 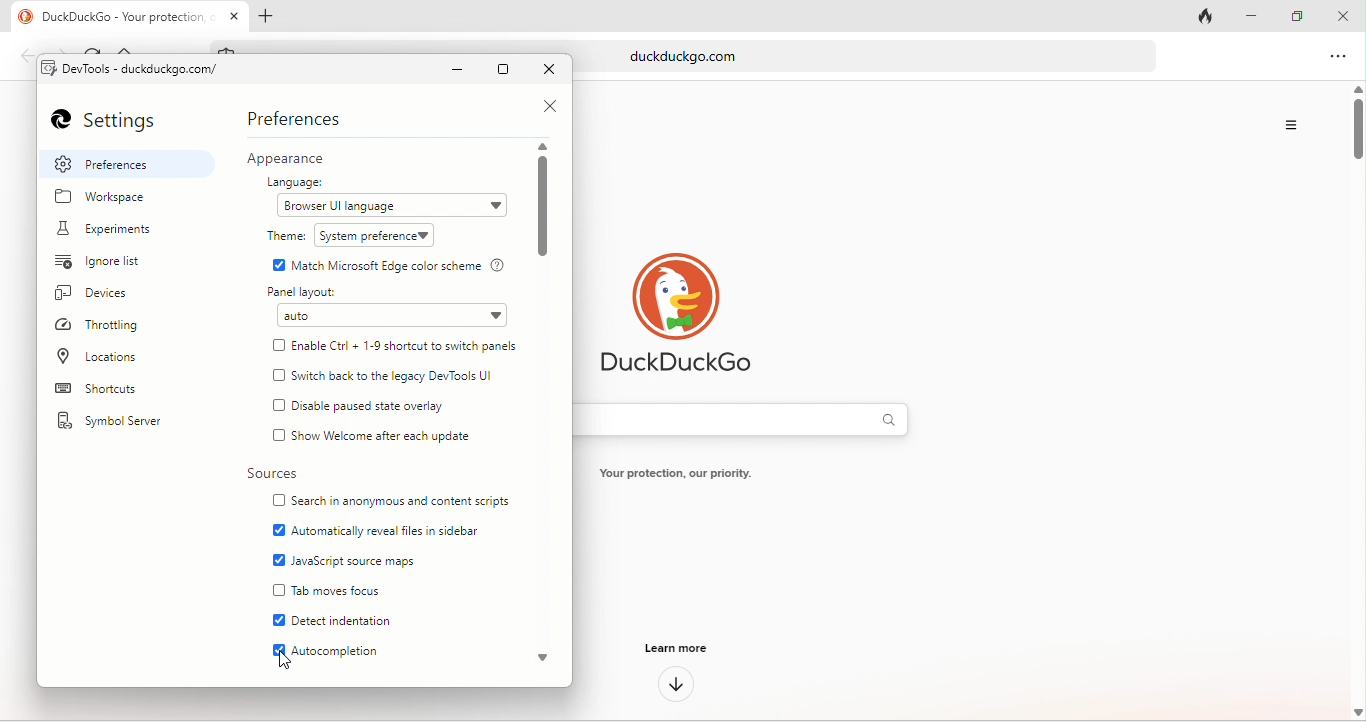 What do you see at coordinates (1338, 59) in the screenshot?
I see `option` at bounding box center [1338, 59].